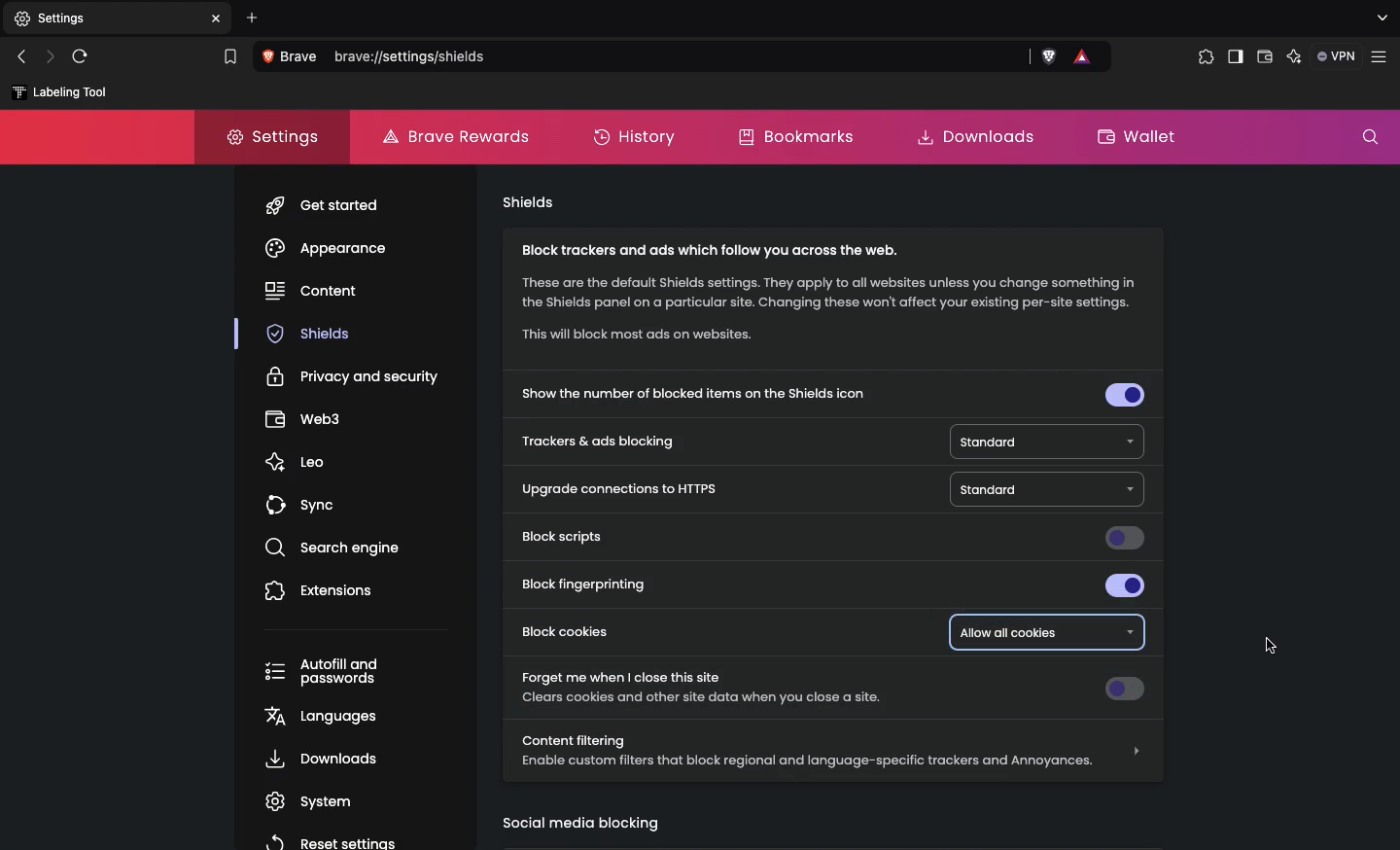  Describe the element at coordinates (835, 687) in the screenshot. I see `Forget me when I close this site Clears cookies and other site data when you close a site.` at that location.